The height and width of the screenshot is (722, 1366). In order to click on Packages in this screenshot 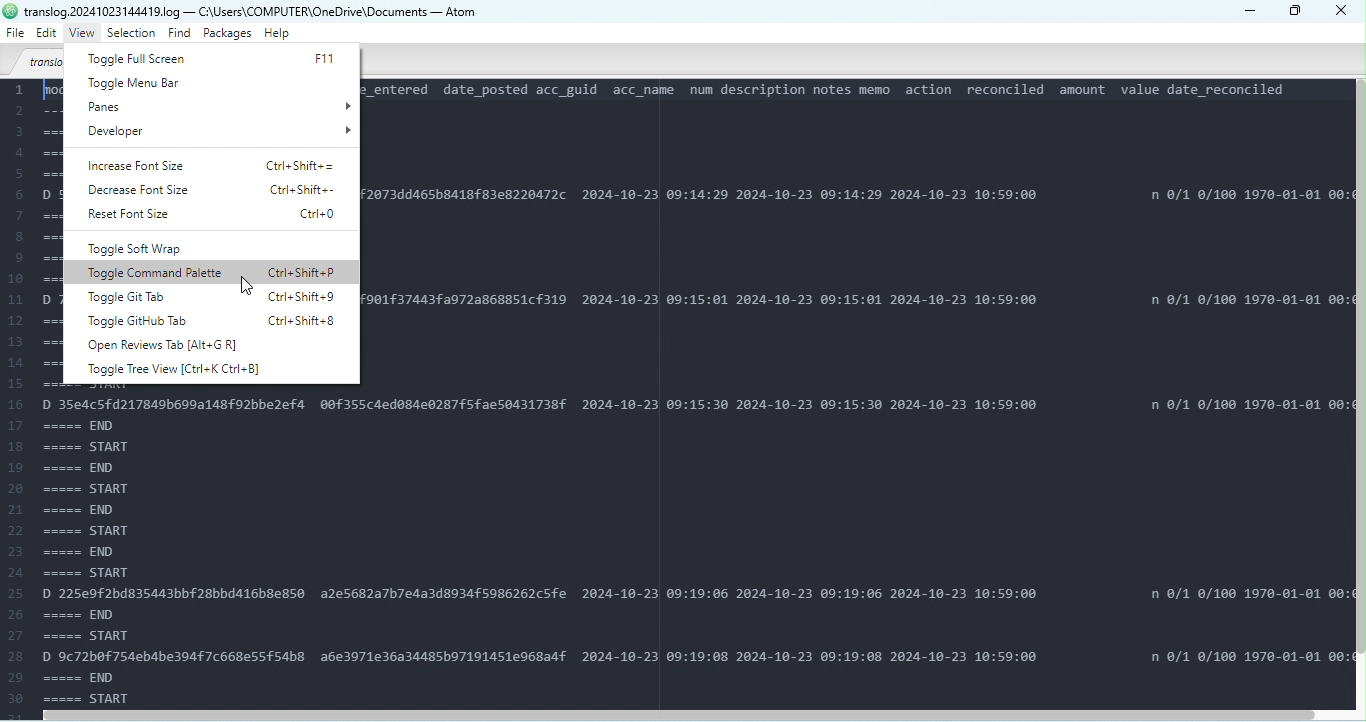, I will do `click(229, 33)`.